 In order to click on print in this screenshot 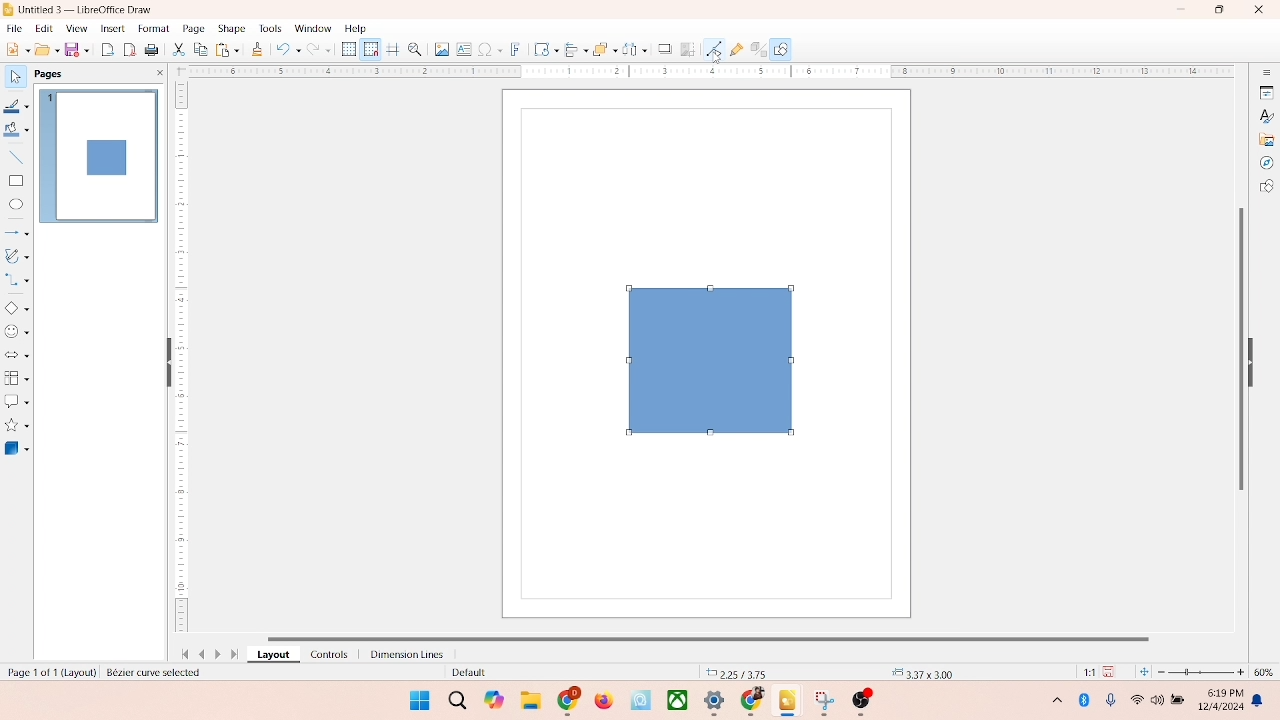, I will do `click(226, 49)`.